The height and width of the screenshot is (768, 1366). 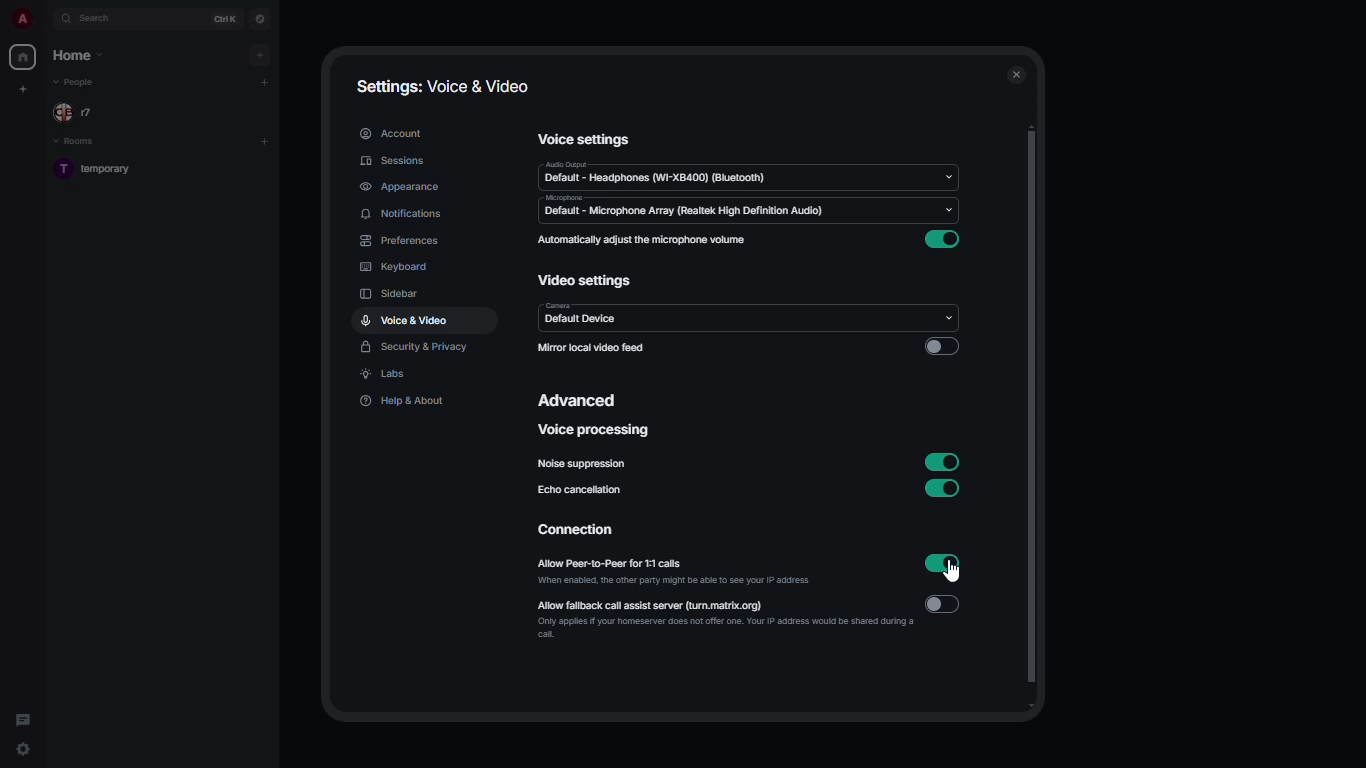 I want to click on expand, so click(x=45, y=20).